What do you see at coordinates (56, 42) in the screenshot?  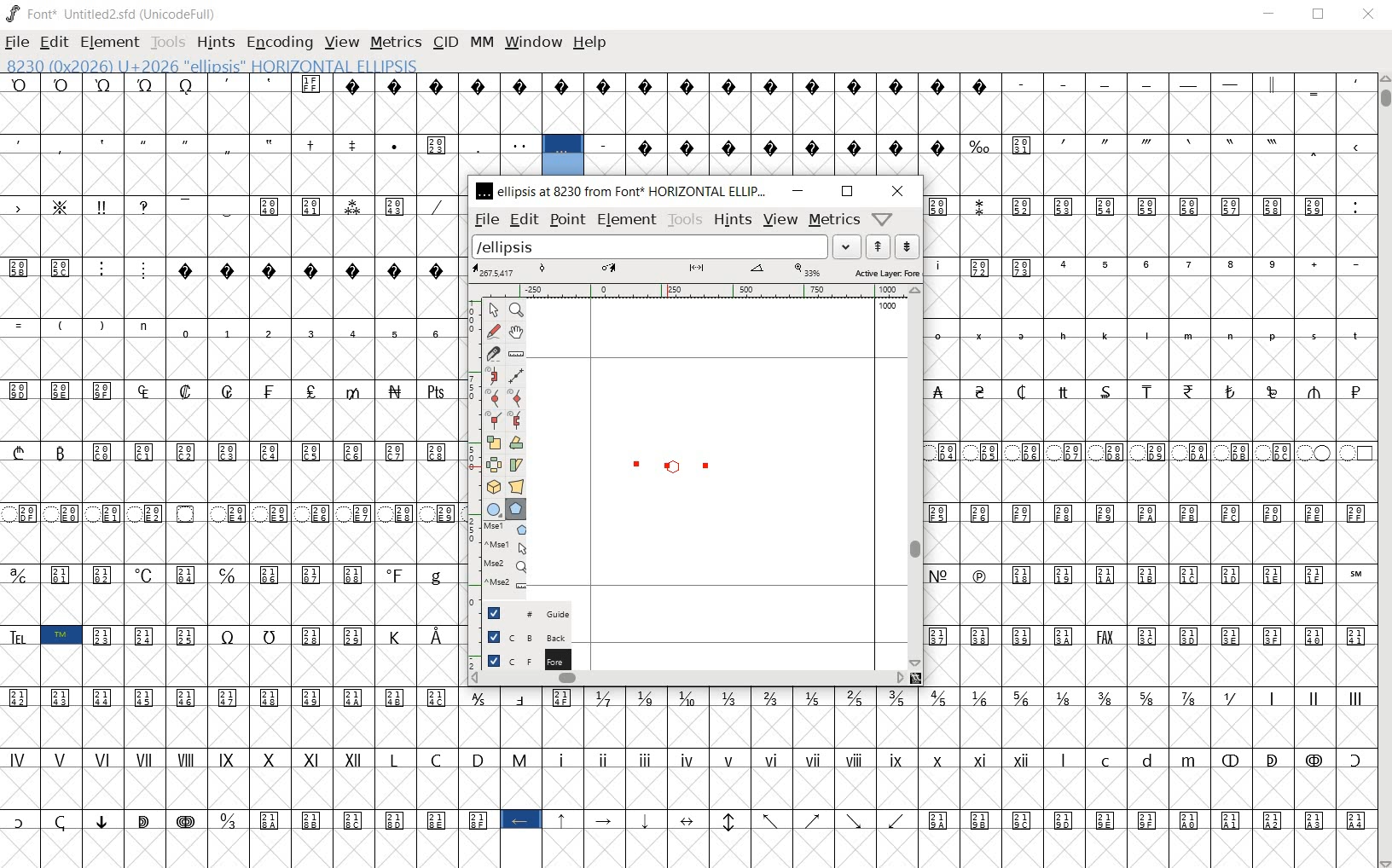 I see `EDIT` at bounding box center [56, 42].